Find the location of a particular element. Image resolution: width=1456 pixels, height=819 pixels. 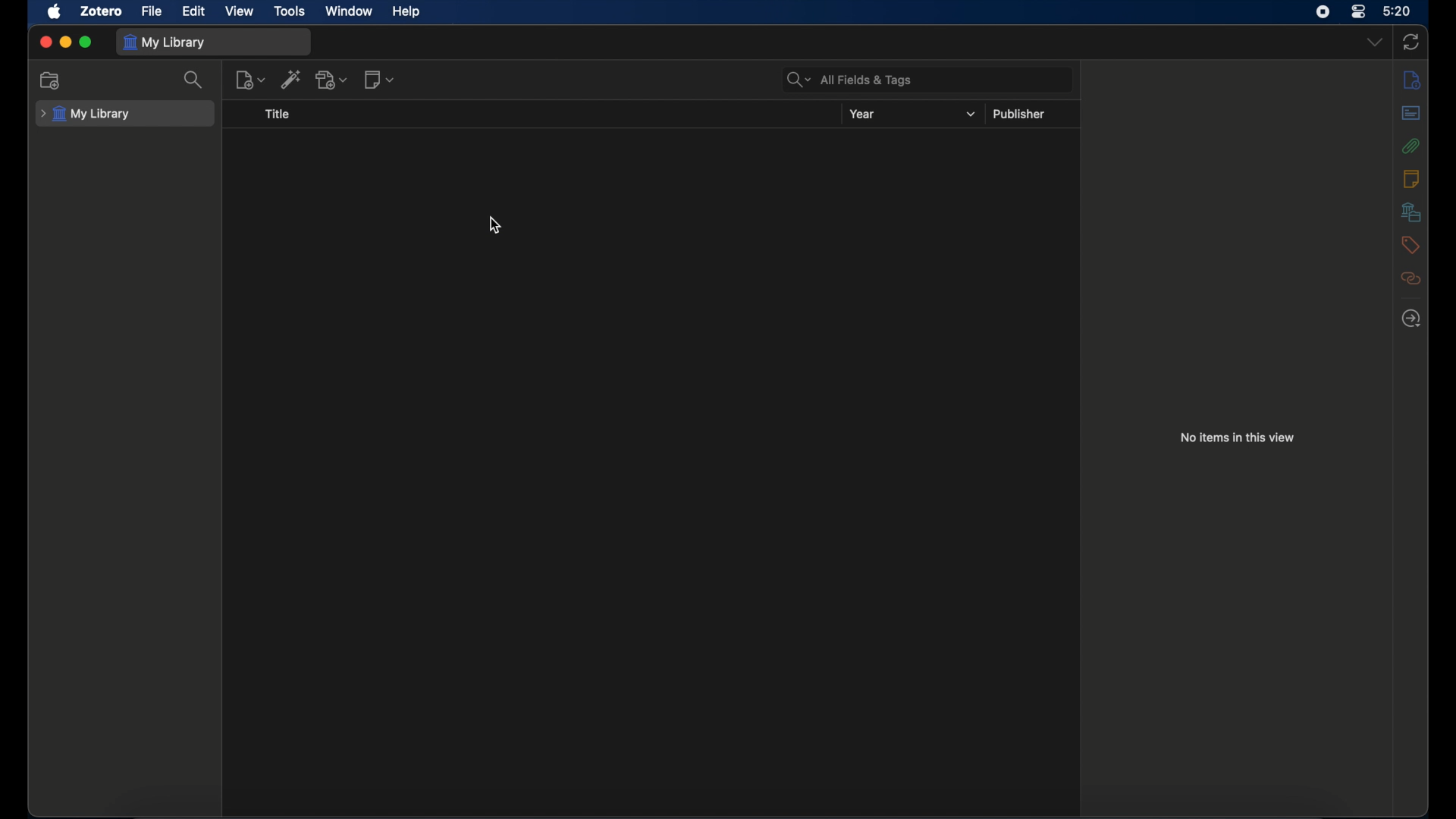

year is located at coordinates (864, 115).